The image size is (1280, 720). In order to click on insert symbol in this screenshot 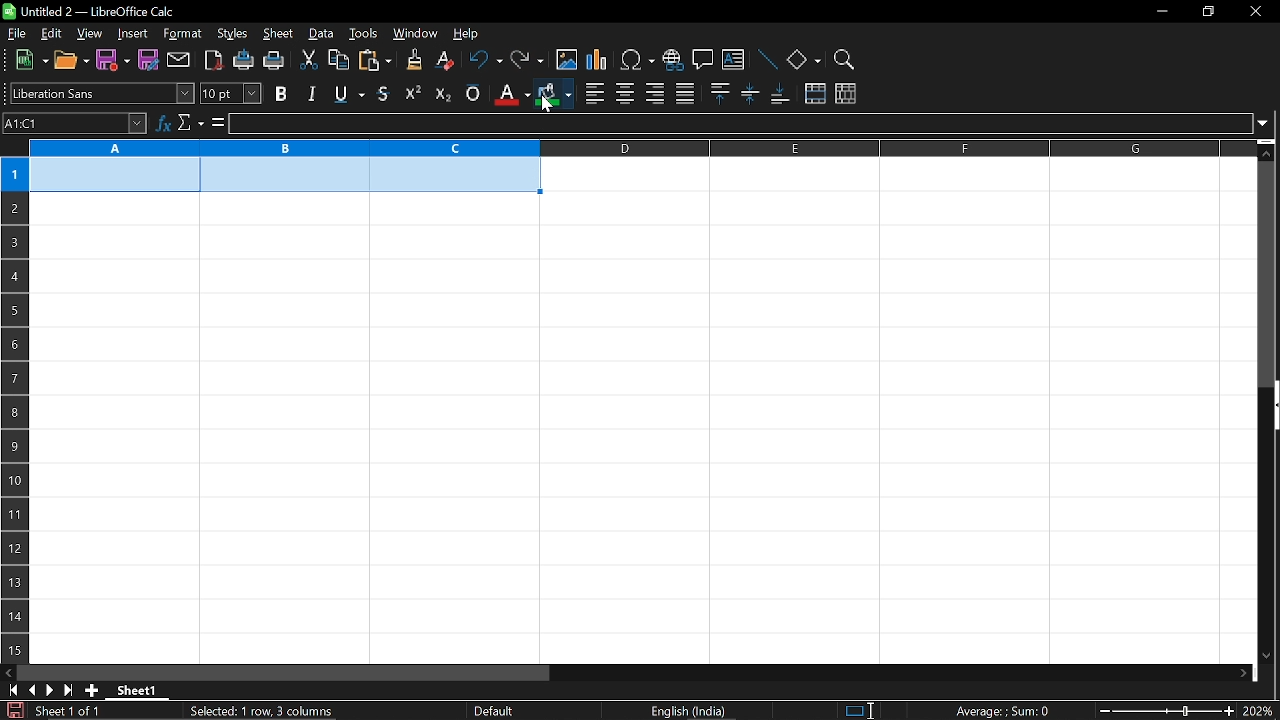, I will do `click(638, 59)`.